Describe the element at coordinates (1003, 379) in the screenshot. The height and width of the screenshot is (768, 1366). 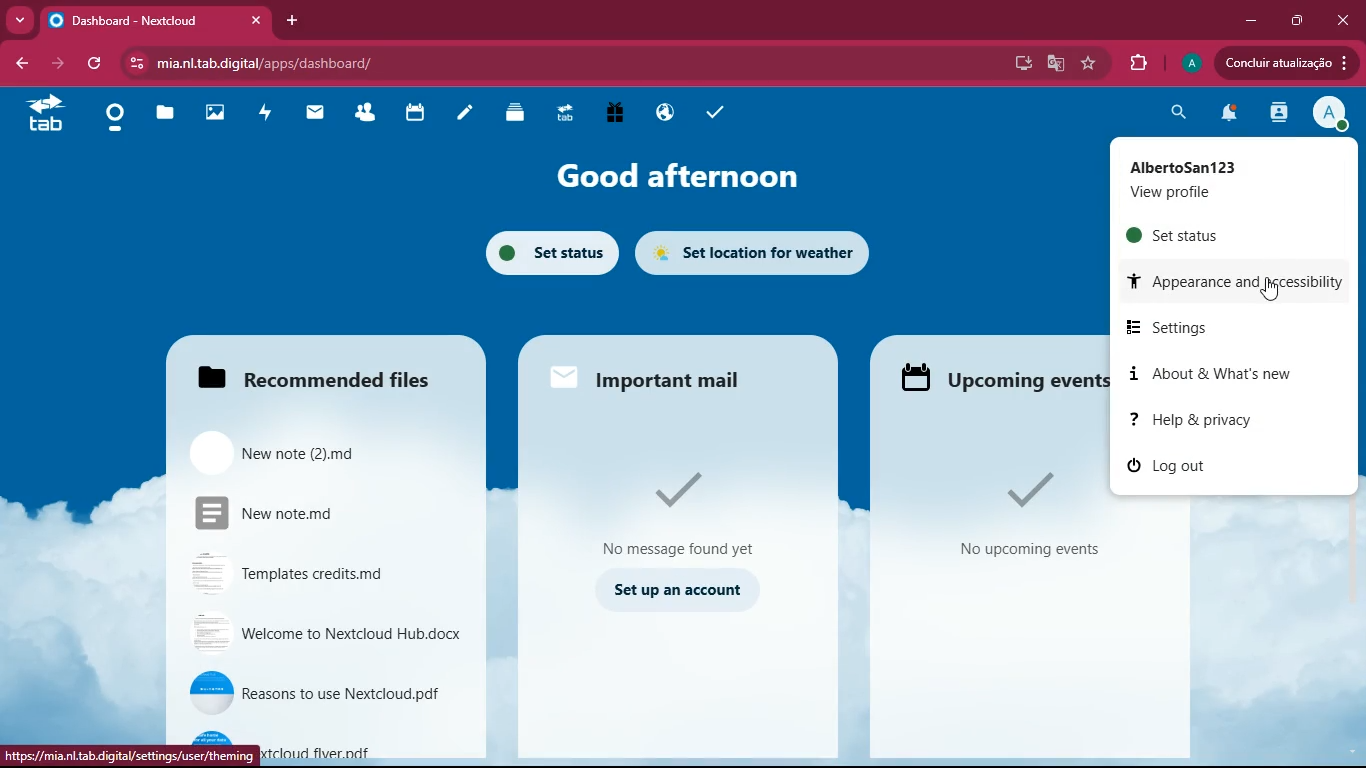
I see `Upcoming events` at that location.